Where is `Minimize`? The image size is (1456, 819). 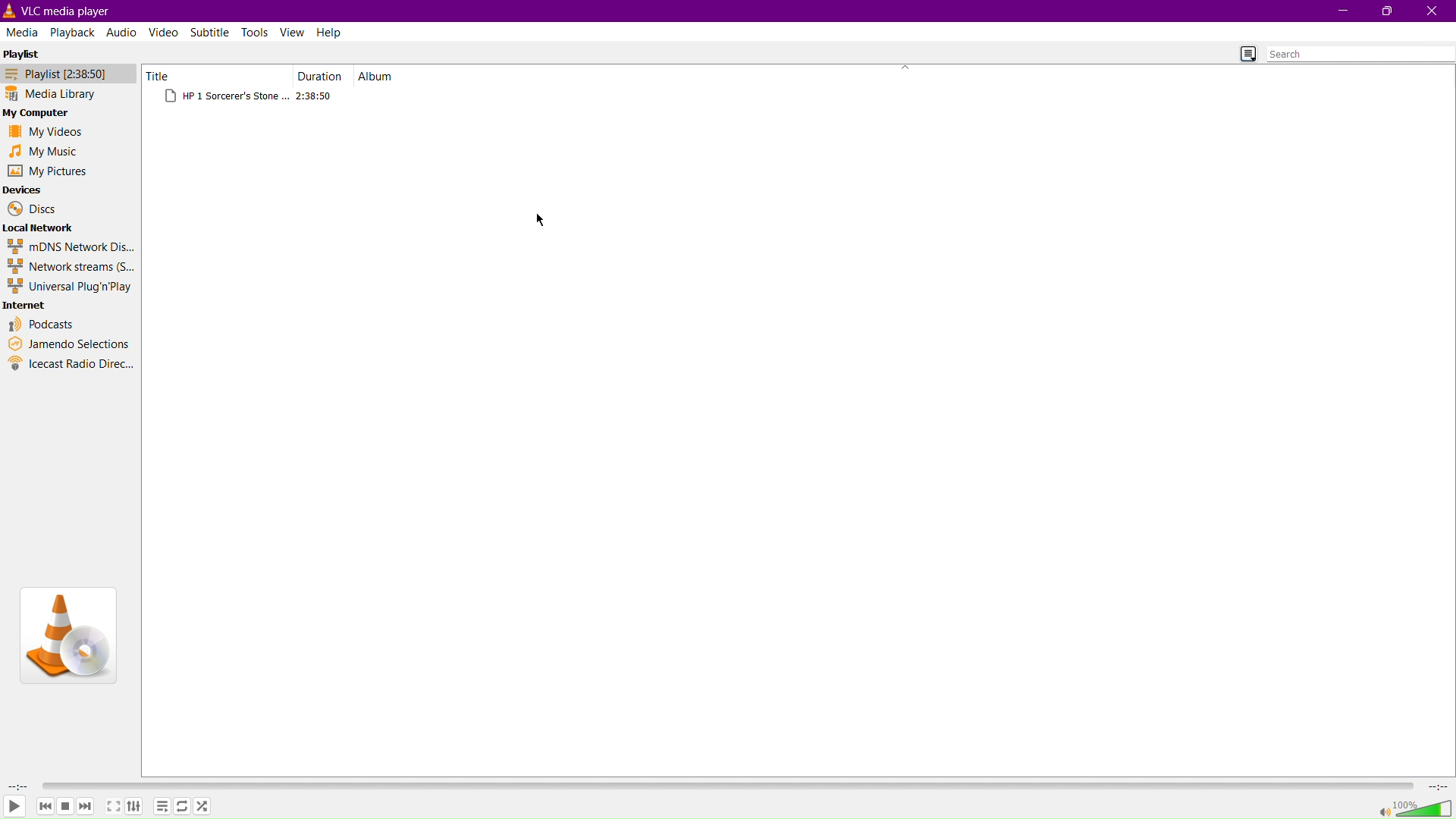
Minimize is located at coordinates (1340, 11).